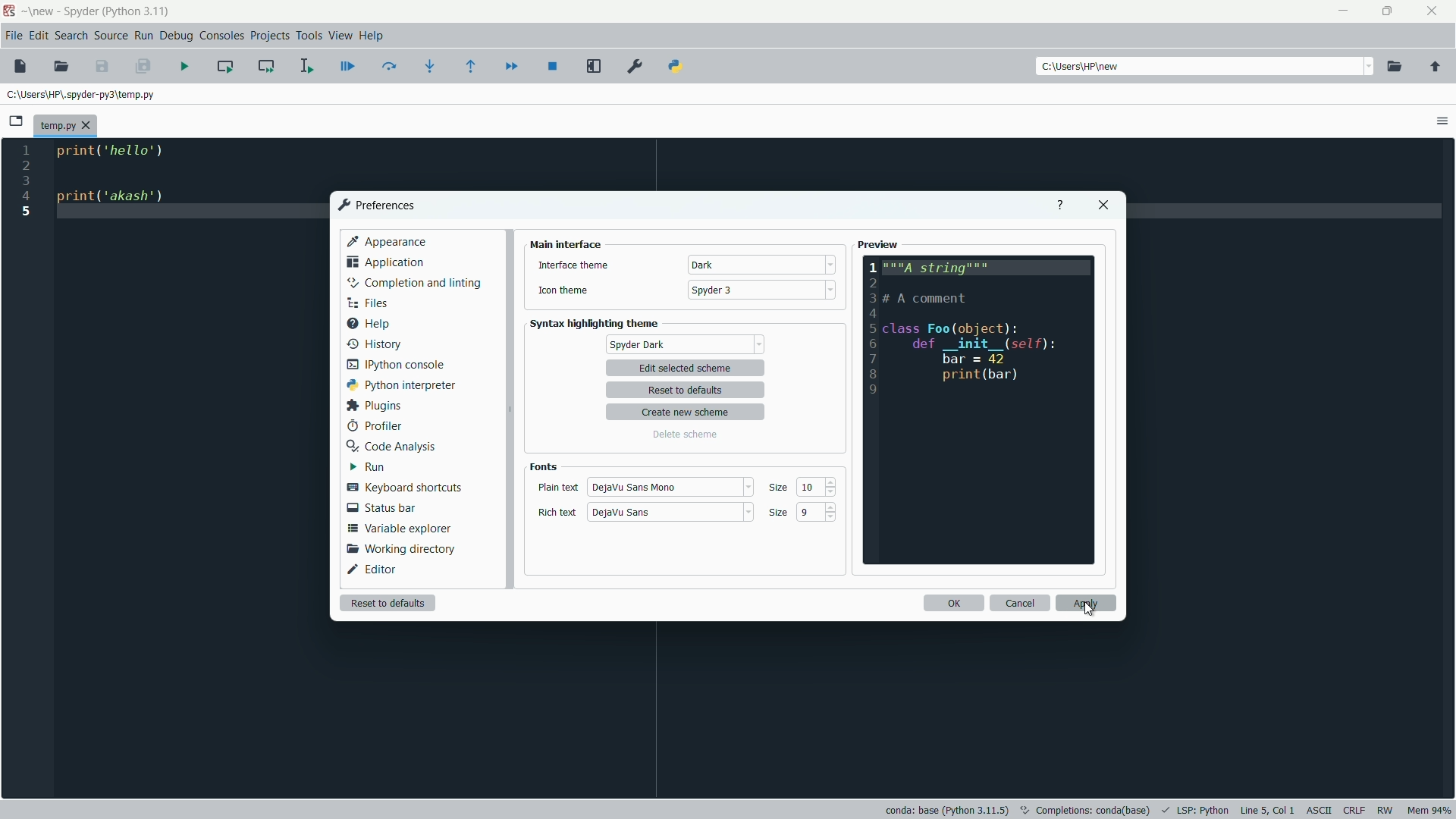 The image size is (1456, 819). I want to click on options, so click(1442, 121).